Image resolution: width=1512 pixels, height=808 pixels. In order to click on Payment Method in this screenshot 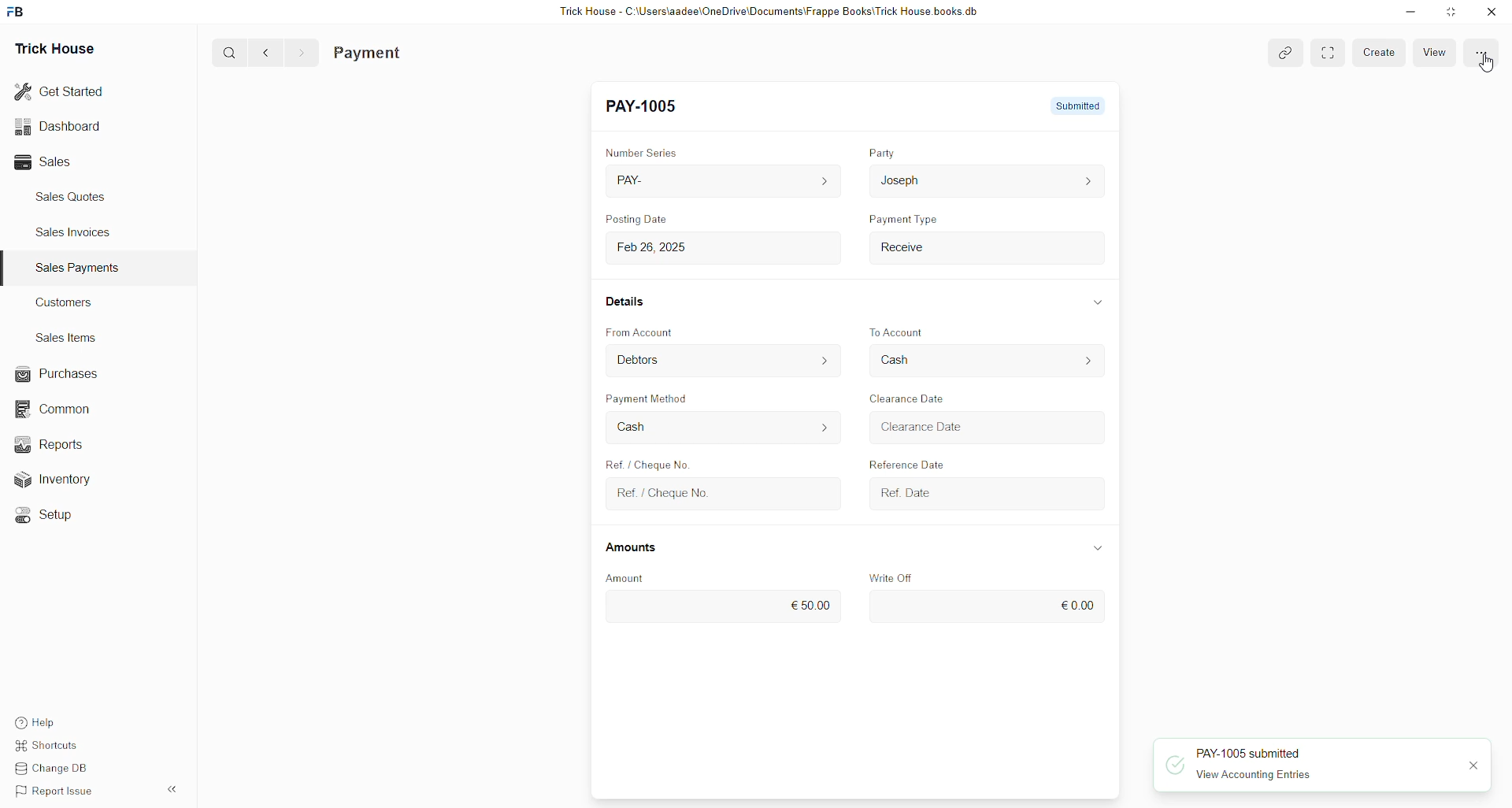, I will do `click(649, 398)`.